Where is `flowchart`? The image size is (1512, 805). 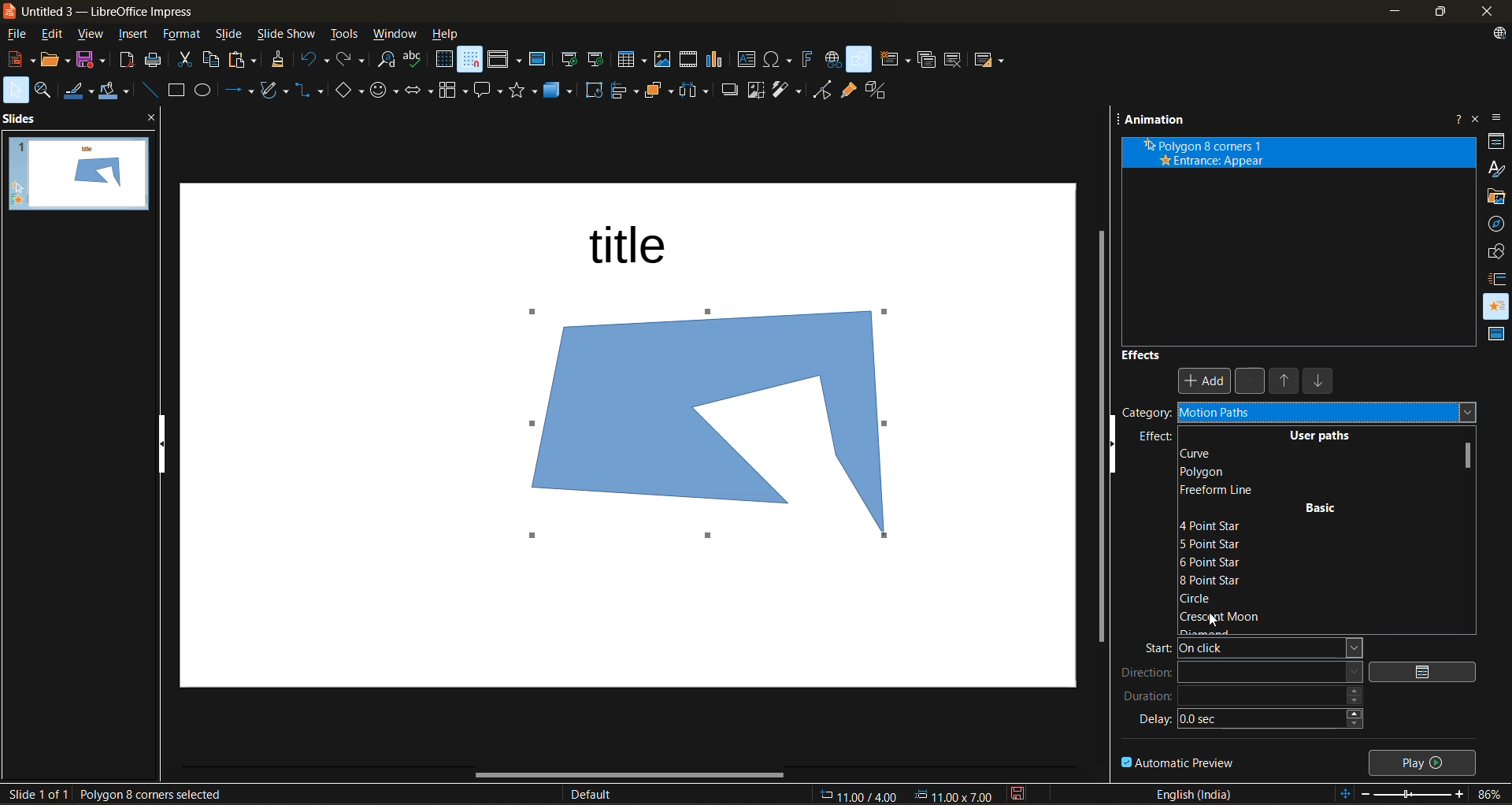
flowchart is located at coordinates (454, 91).